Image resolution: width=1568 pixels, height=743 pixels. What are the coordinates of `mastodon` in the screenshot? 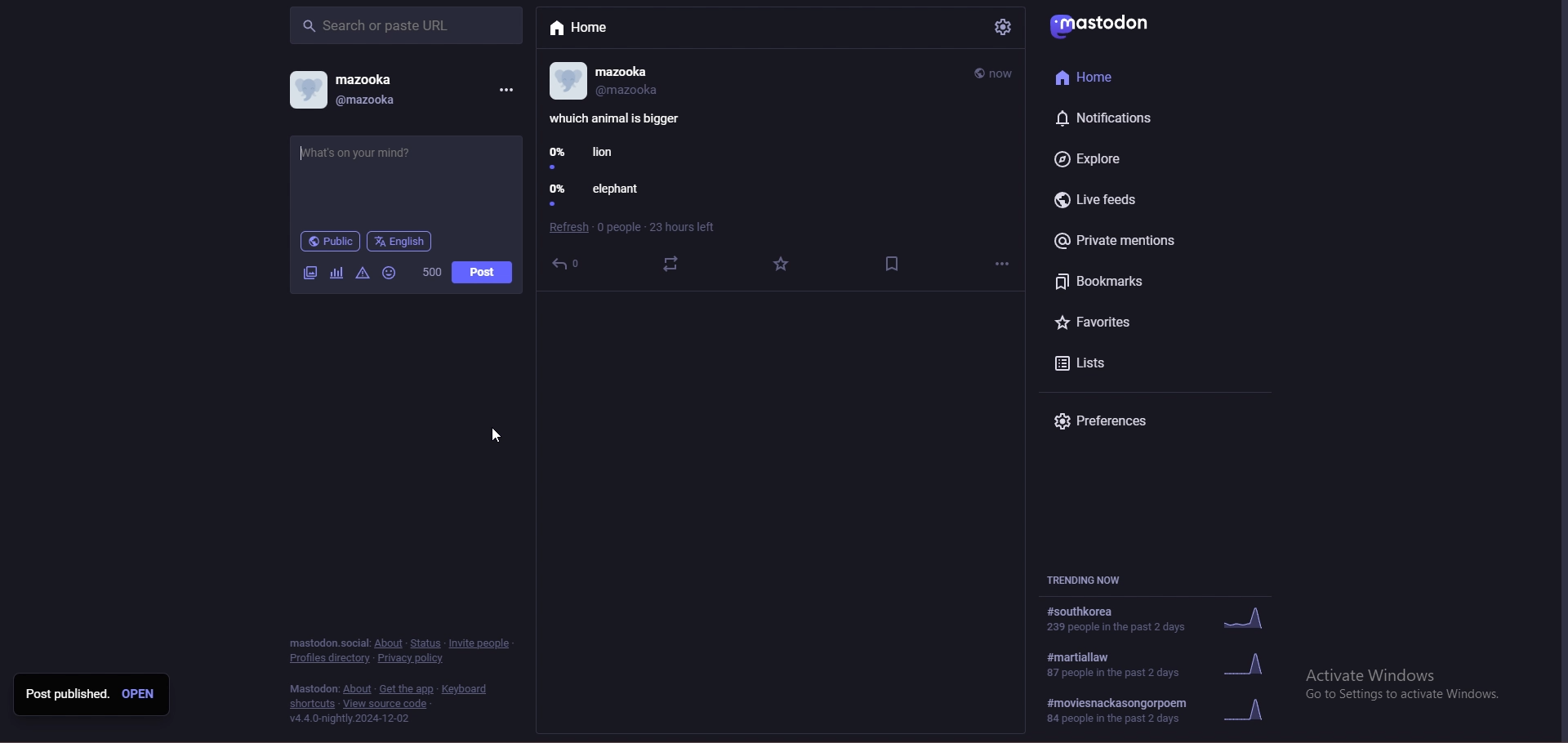 It's located at (1107, 23).